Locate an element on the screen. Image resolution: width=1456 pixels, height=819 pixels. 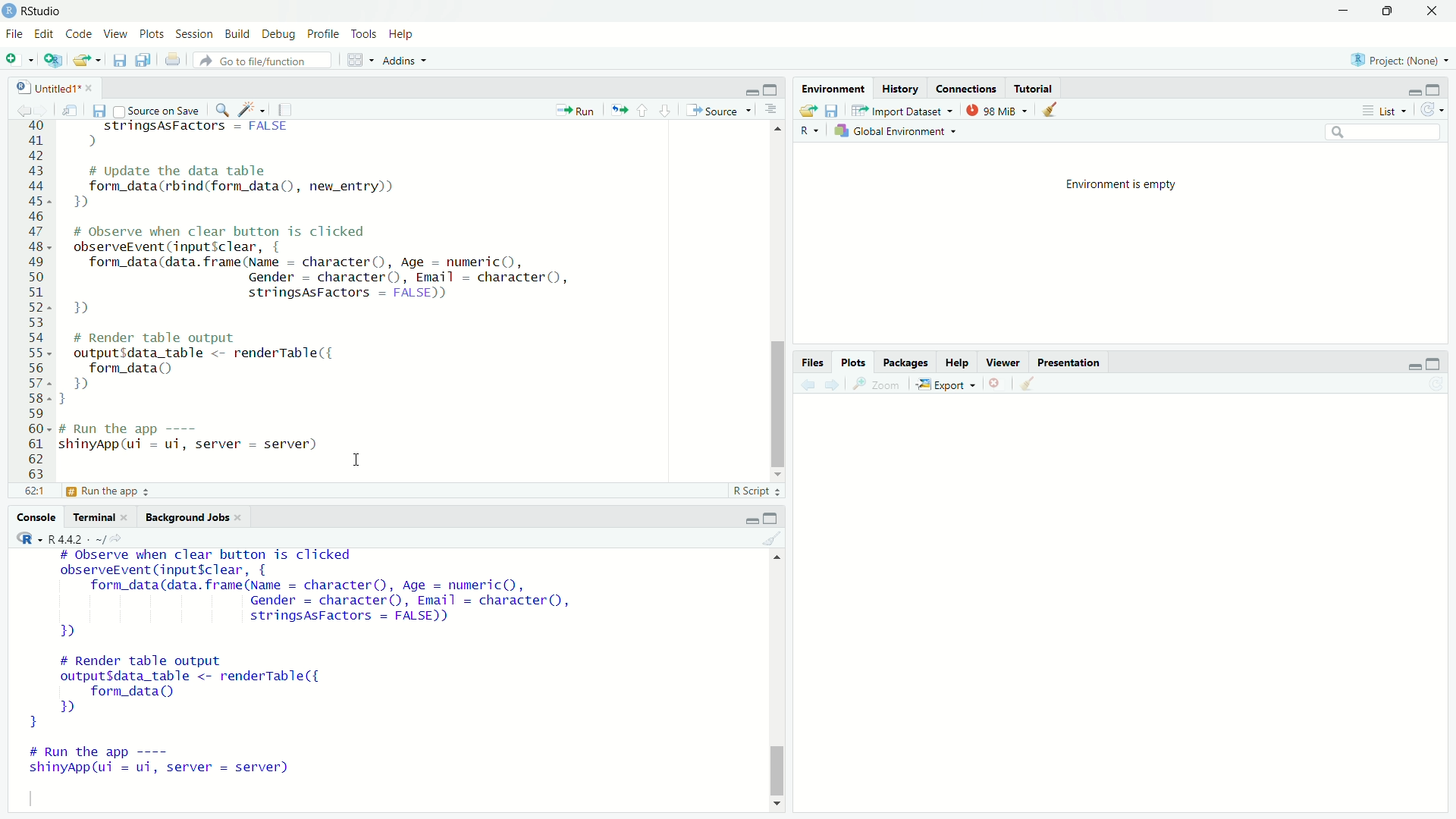
language change is located at coordinates (23, 538).